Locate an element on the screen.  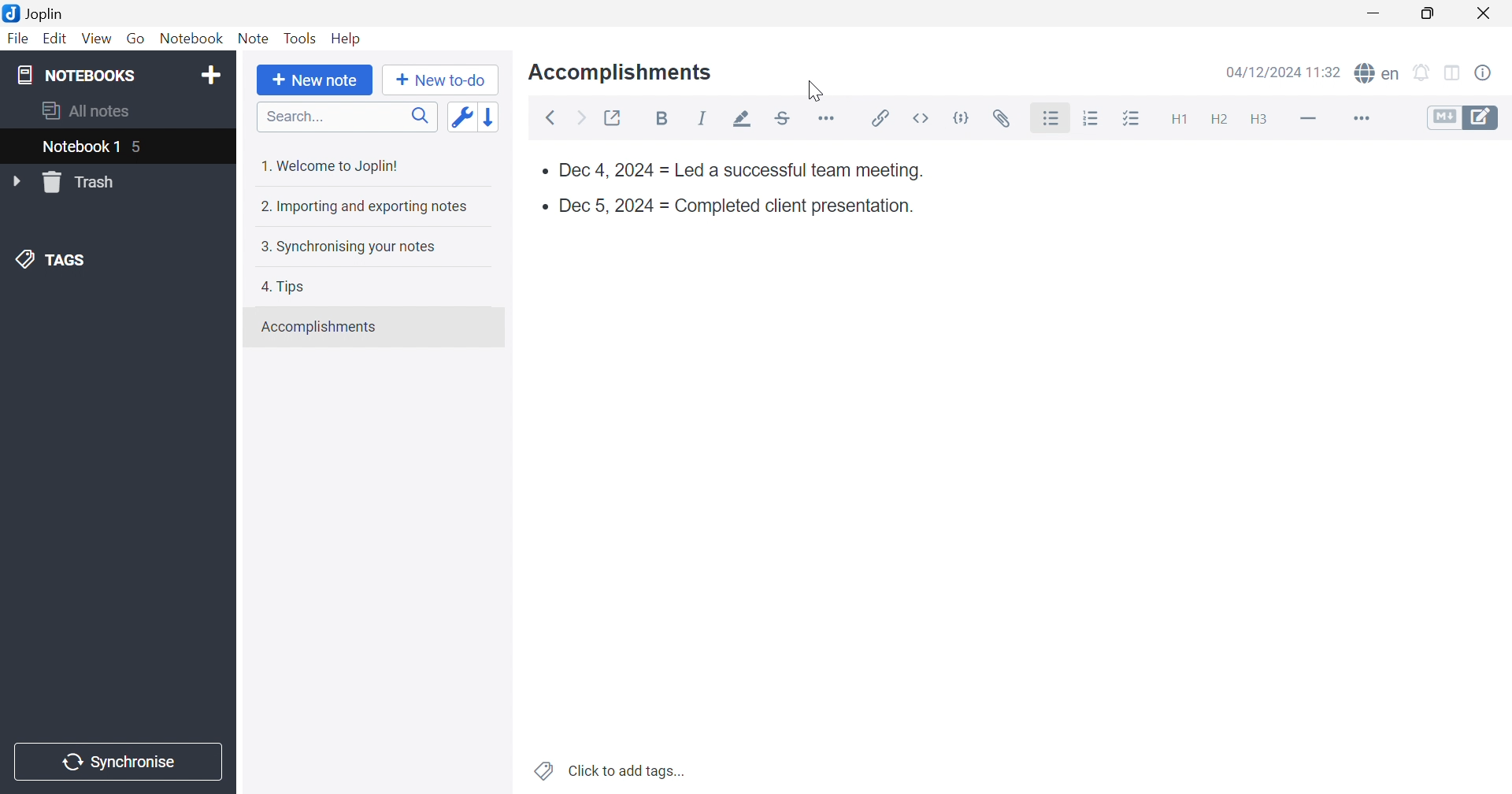
Dec 5, 2024 = Completed client presentation is located at coordinates (736, 208).